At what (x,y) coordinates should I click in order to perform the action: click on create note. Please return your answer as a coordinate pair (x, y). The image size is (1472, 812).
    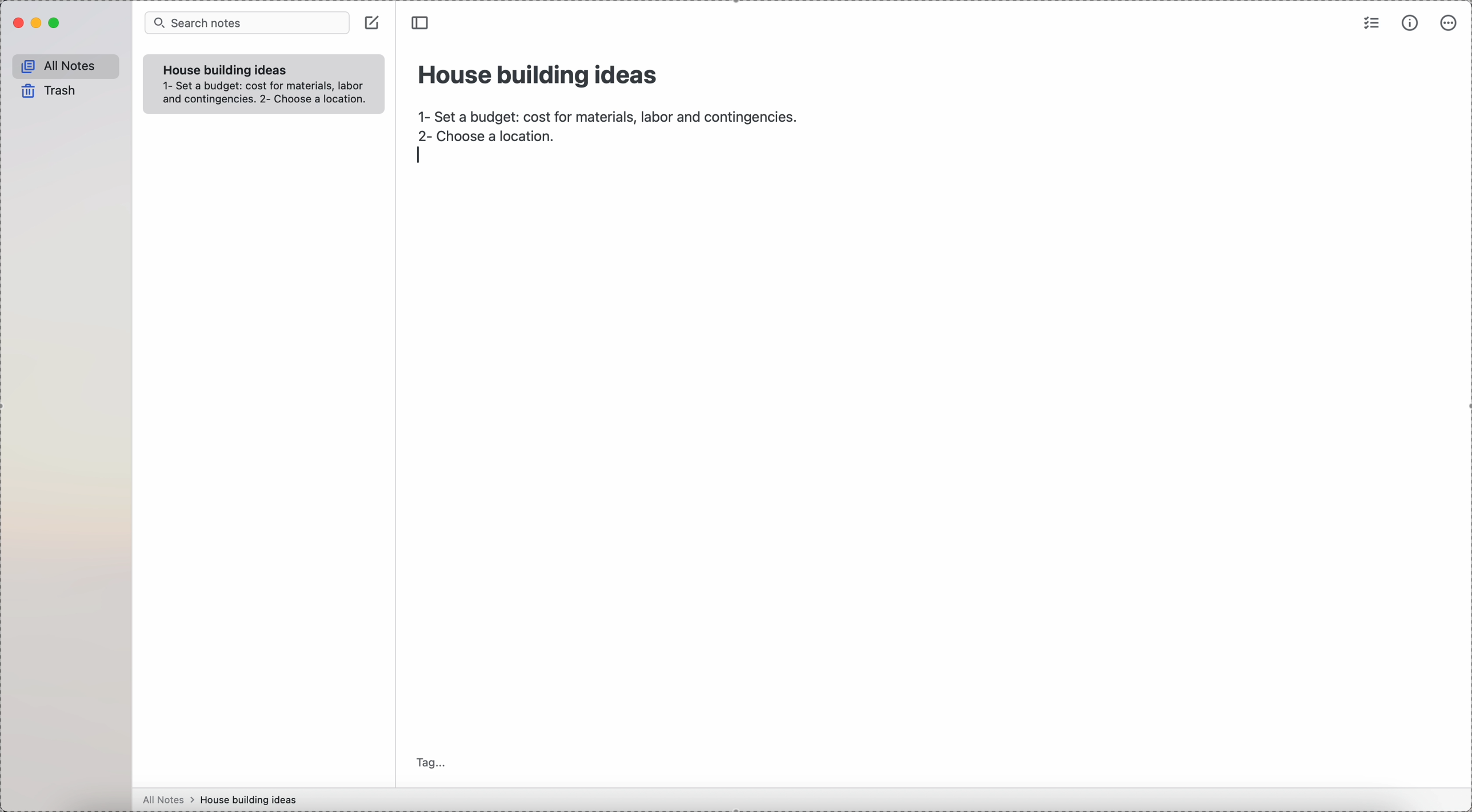
    Looking at the image, I should click on (374, 26).